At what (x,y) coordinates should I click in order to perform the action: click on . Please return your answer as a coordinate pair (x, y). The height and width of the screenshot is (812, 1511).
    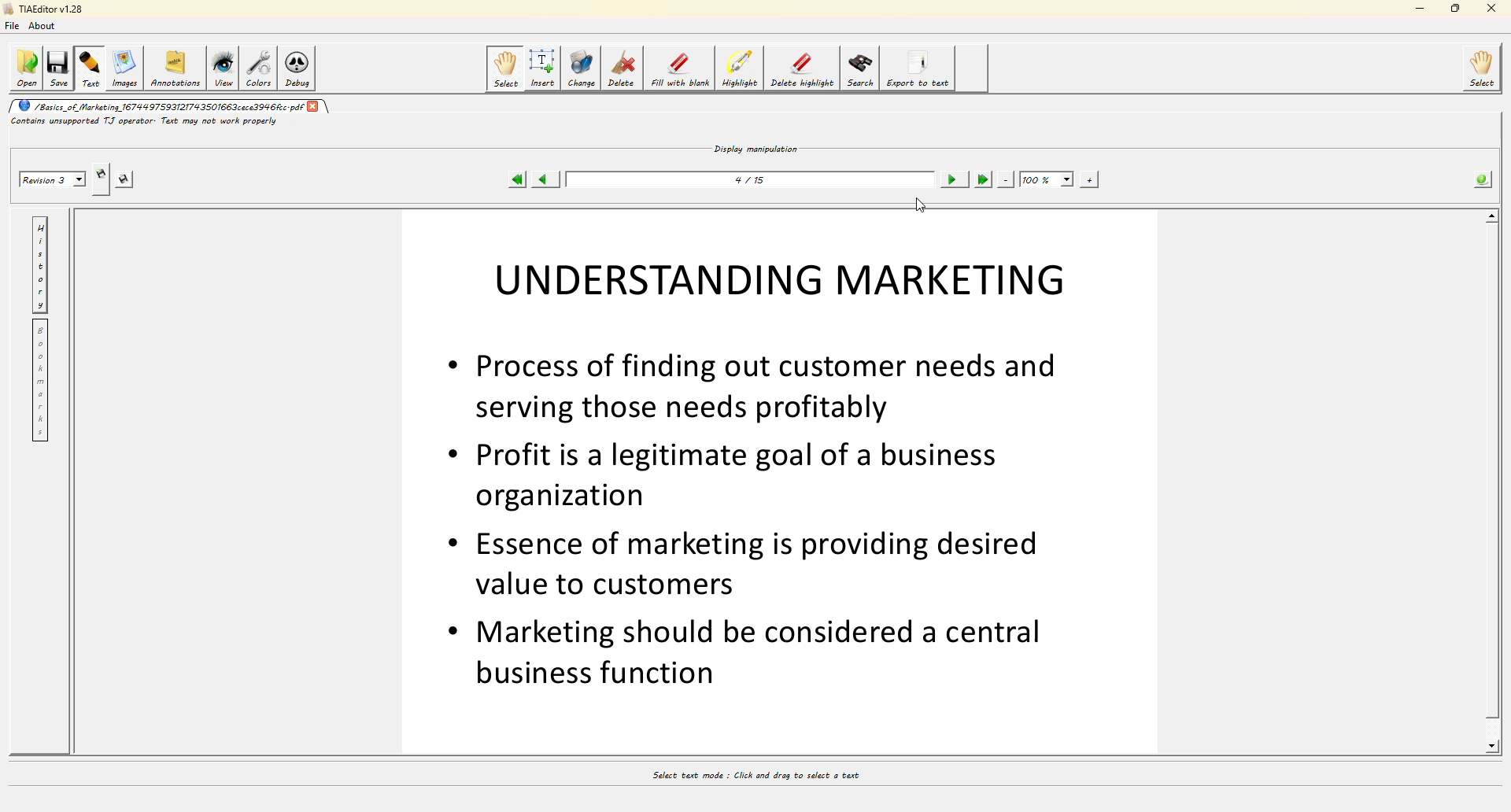
    Looking at the image, I should click on (682, 70).